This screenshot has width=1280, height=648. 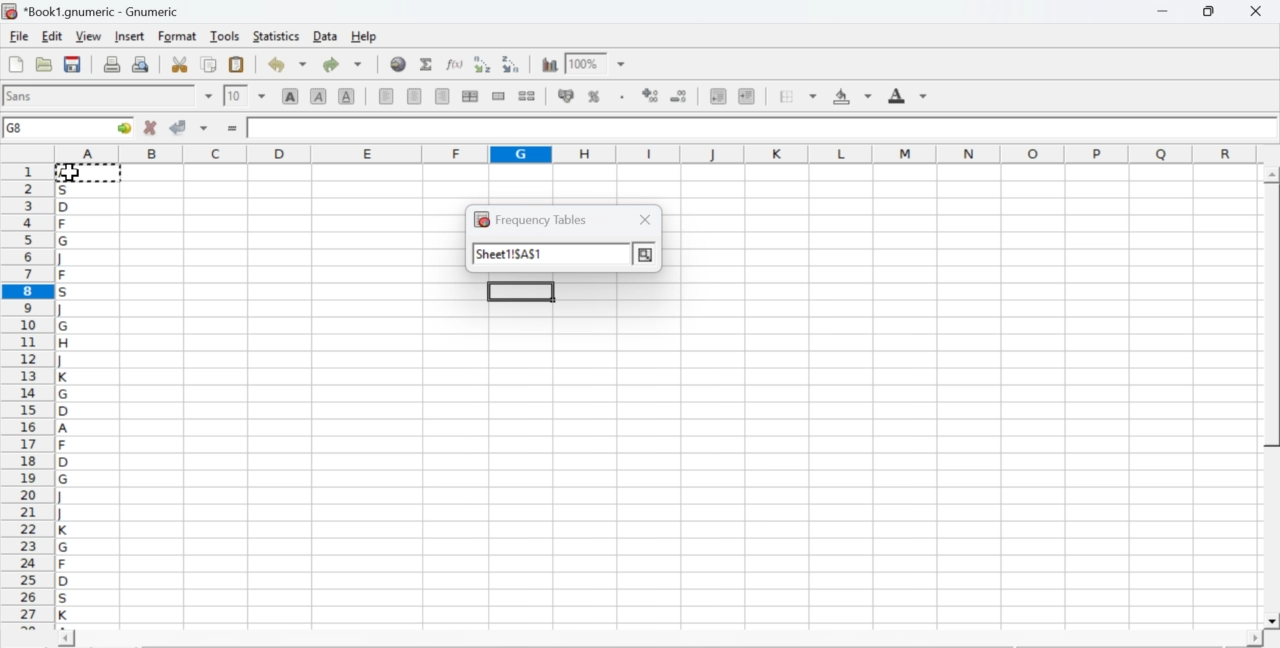 I want to click on view, so click(x=88, y=35).